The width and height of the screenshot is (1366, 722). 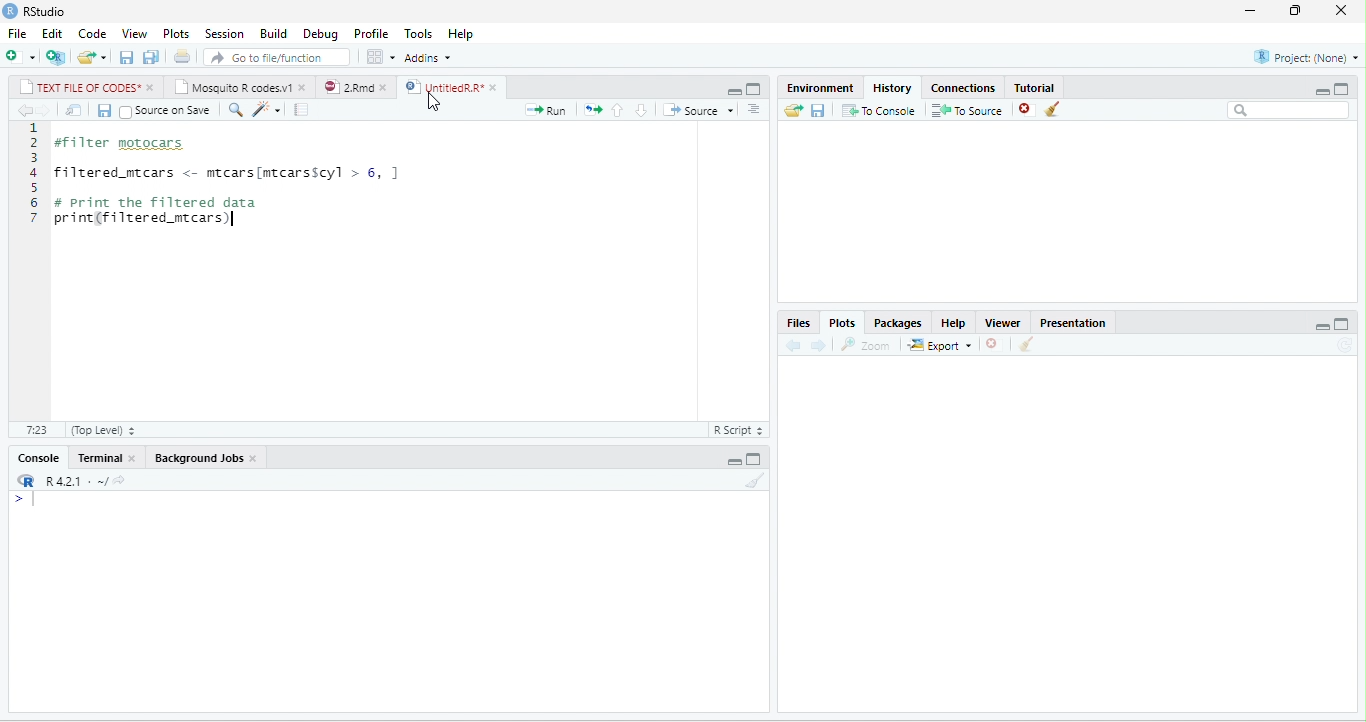 I want to click on open folder, so click(x=793, y=110).